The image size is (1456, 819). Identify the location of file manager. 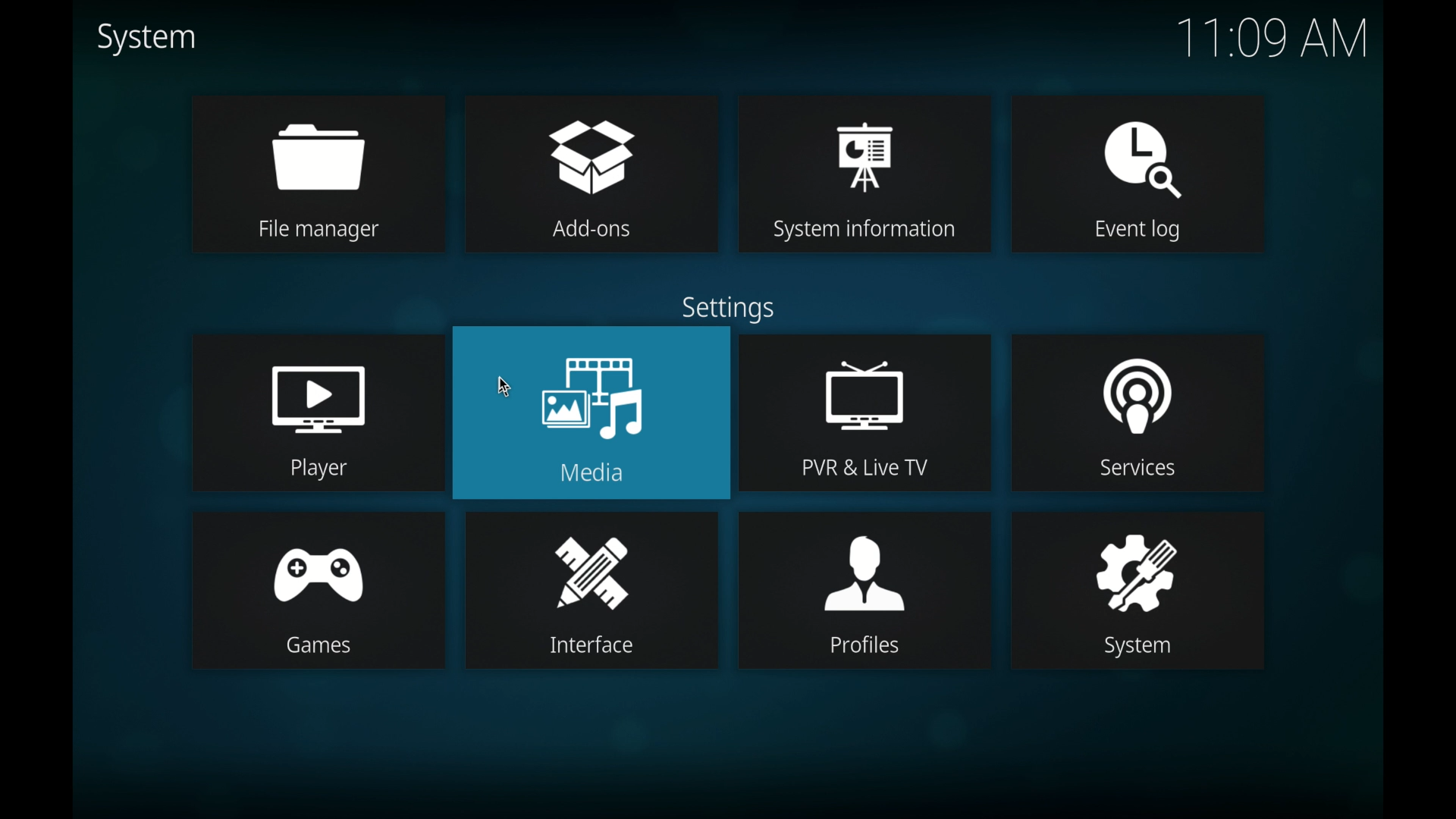
(314, 171).